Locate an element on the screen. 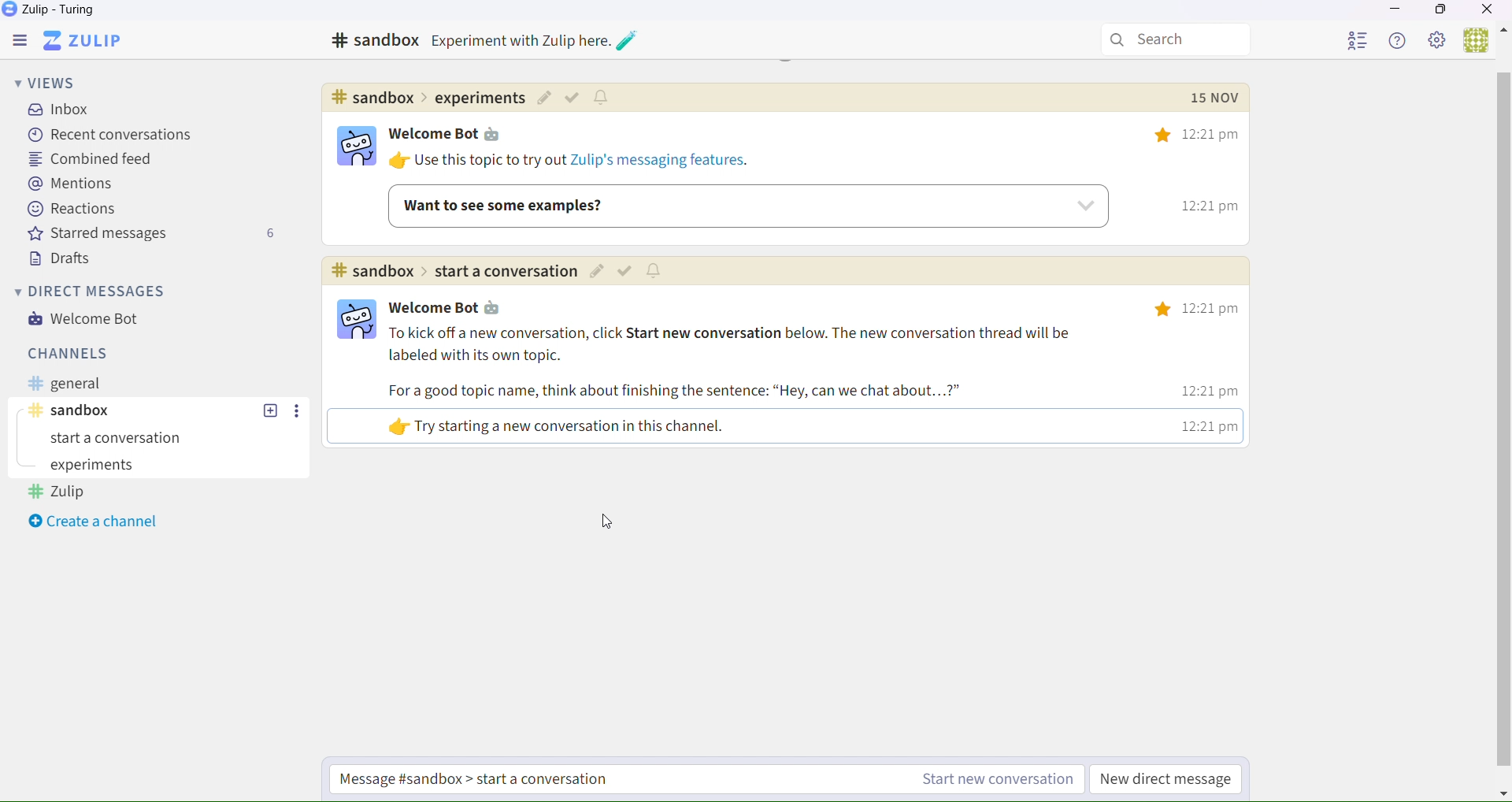 The width and height of the screenshot is (1512, 802). start a conversation is located at coordinates (125, 440).